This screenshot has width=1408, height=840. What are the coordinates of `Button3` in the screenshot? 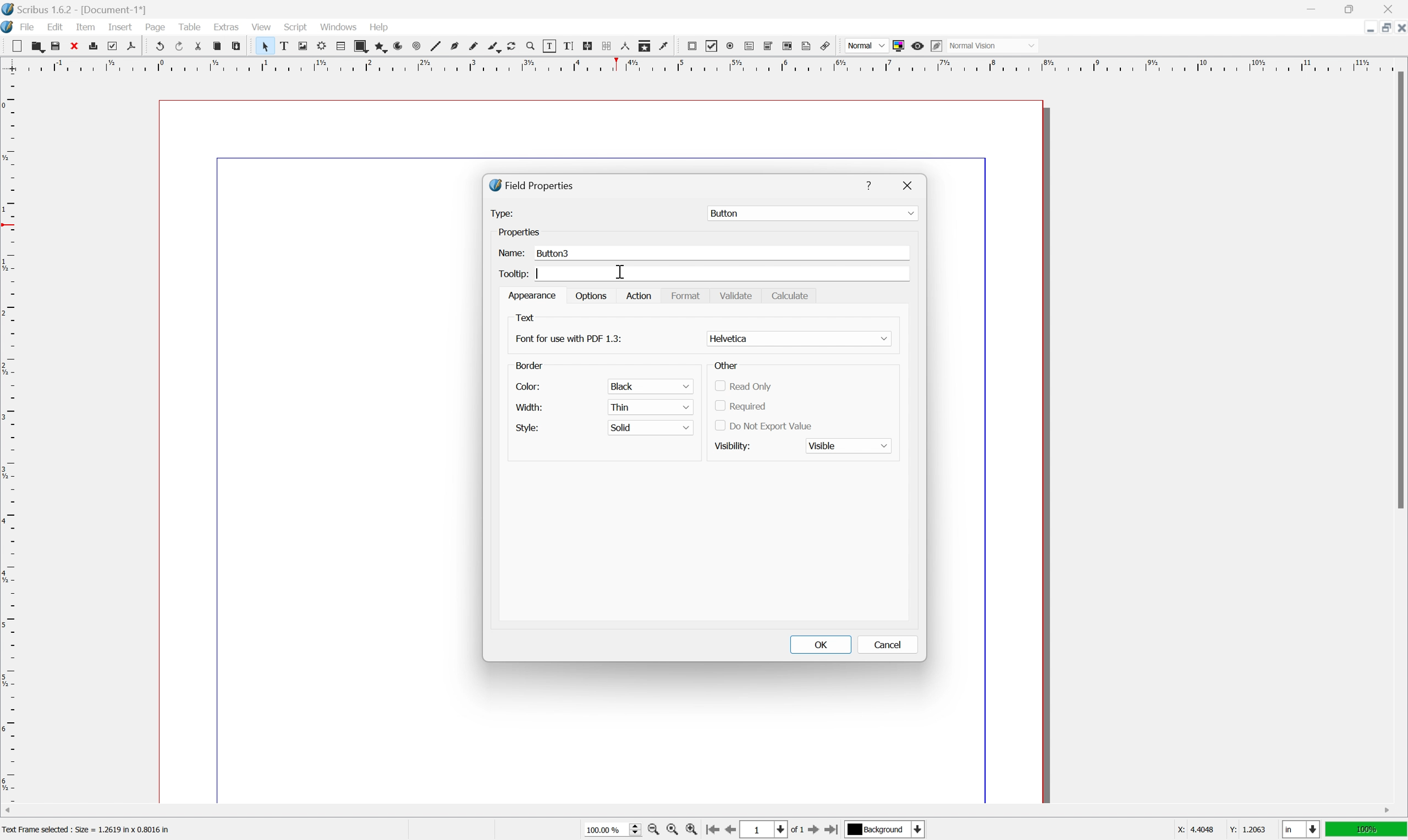 It's located at (566, 251).